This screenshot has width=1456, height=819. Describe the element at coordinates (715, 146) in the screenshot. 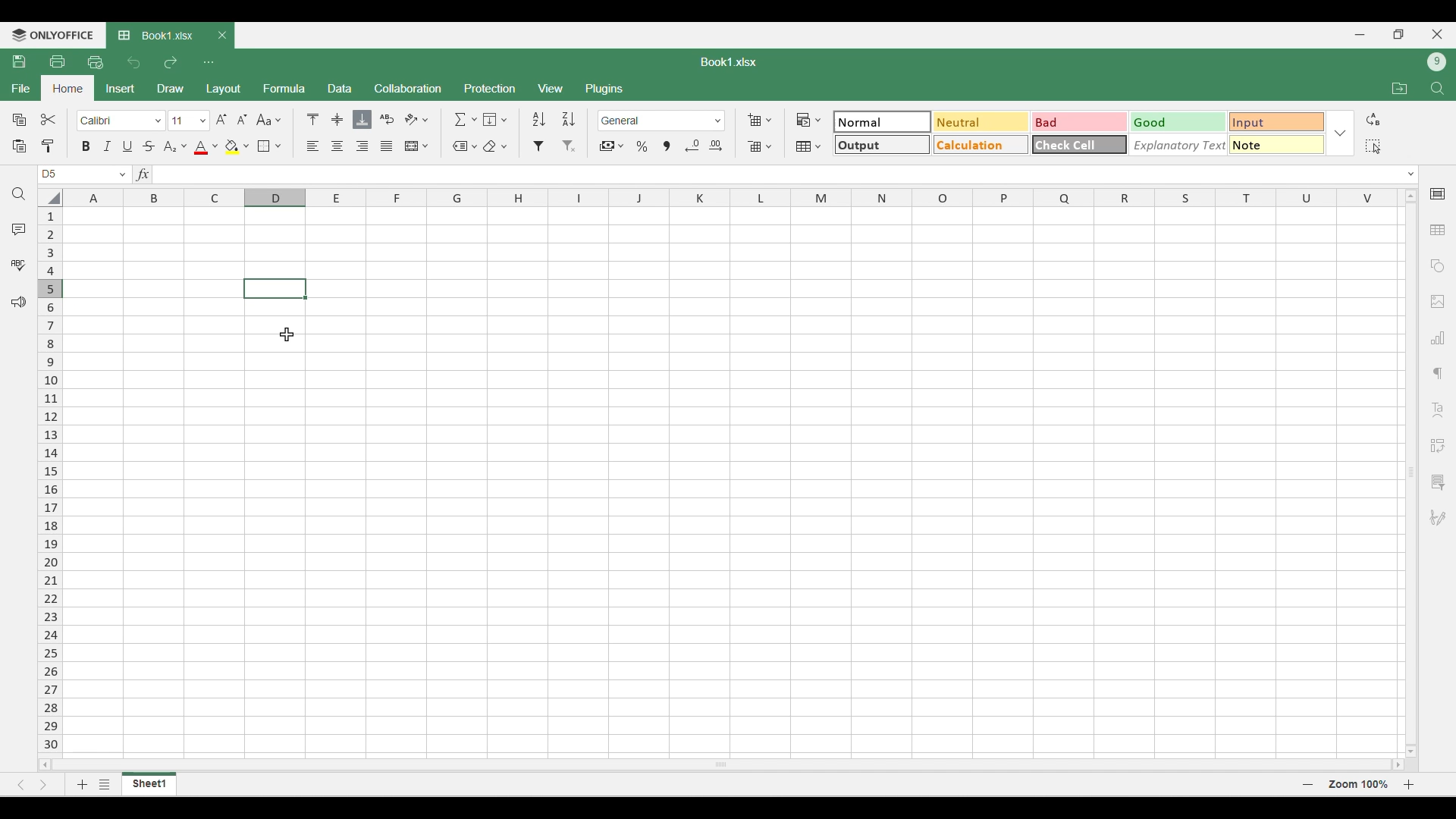

I see `Increase decimal` at that location.